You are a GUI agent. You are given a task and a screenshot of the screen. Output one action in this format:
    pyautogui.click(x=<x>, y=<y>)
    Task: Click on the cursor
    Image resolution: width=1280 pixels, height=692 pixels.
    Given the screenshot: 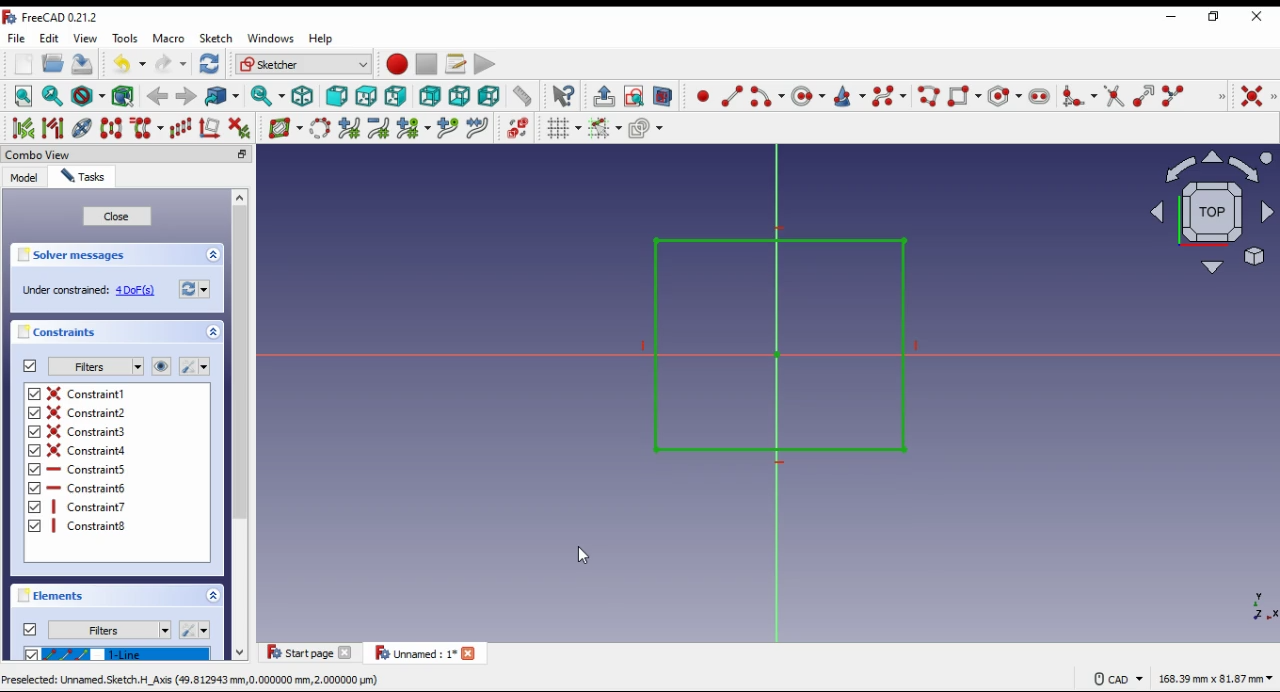 What is the action you would take?
    pyautogui.click(x=584, y=556)
    